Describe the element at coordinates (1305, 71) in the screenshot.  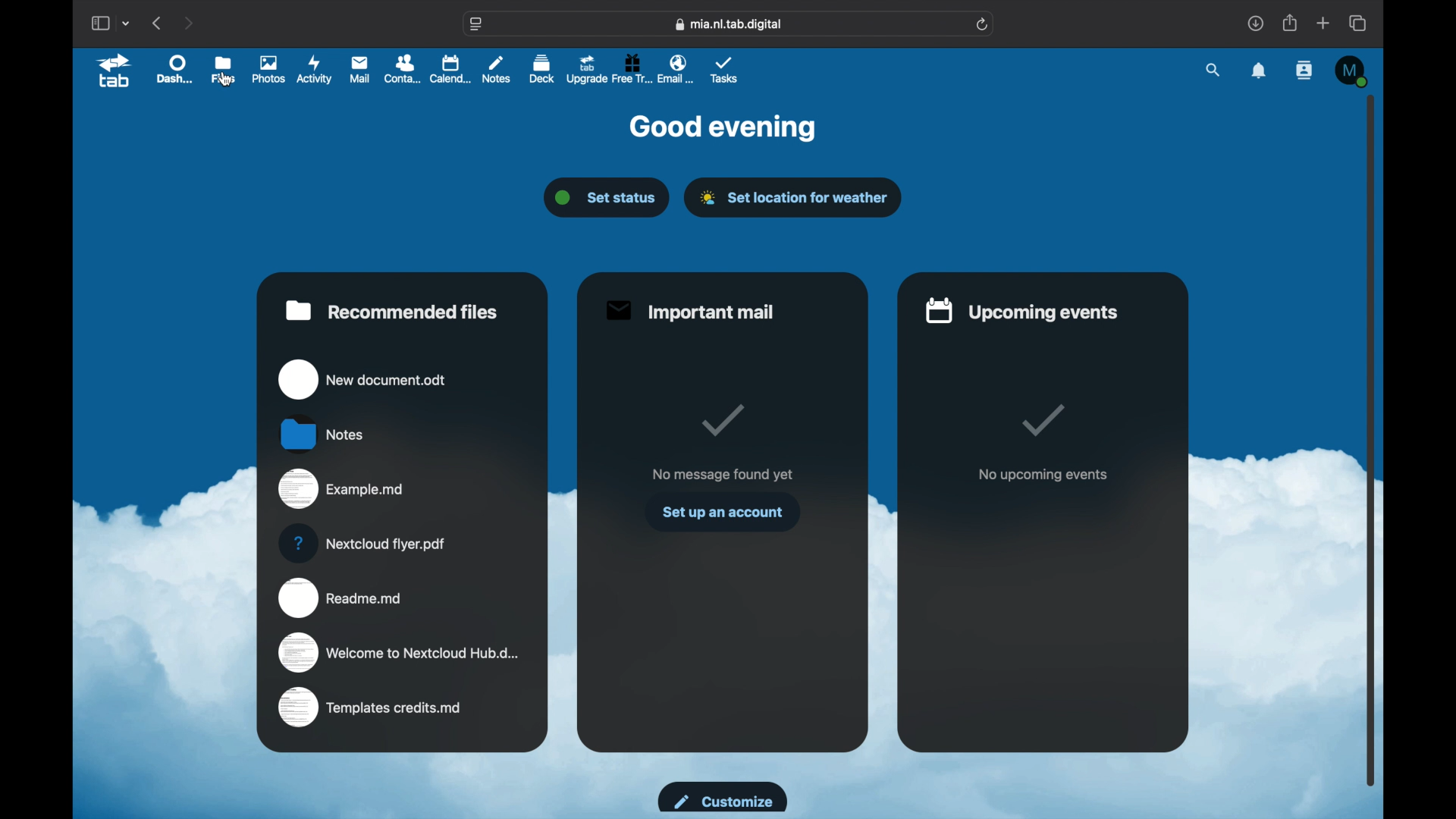
I see `contacts` at that location.